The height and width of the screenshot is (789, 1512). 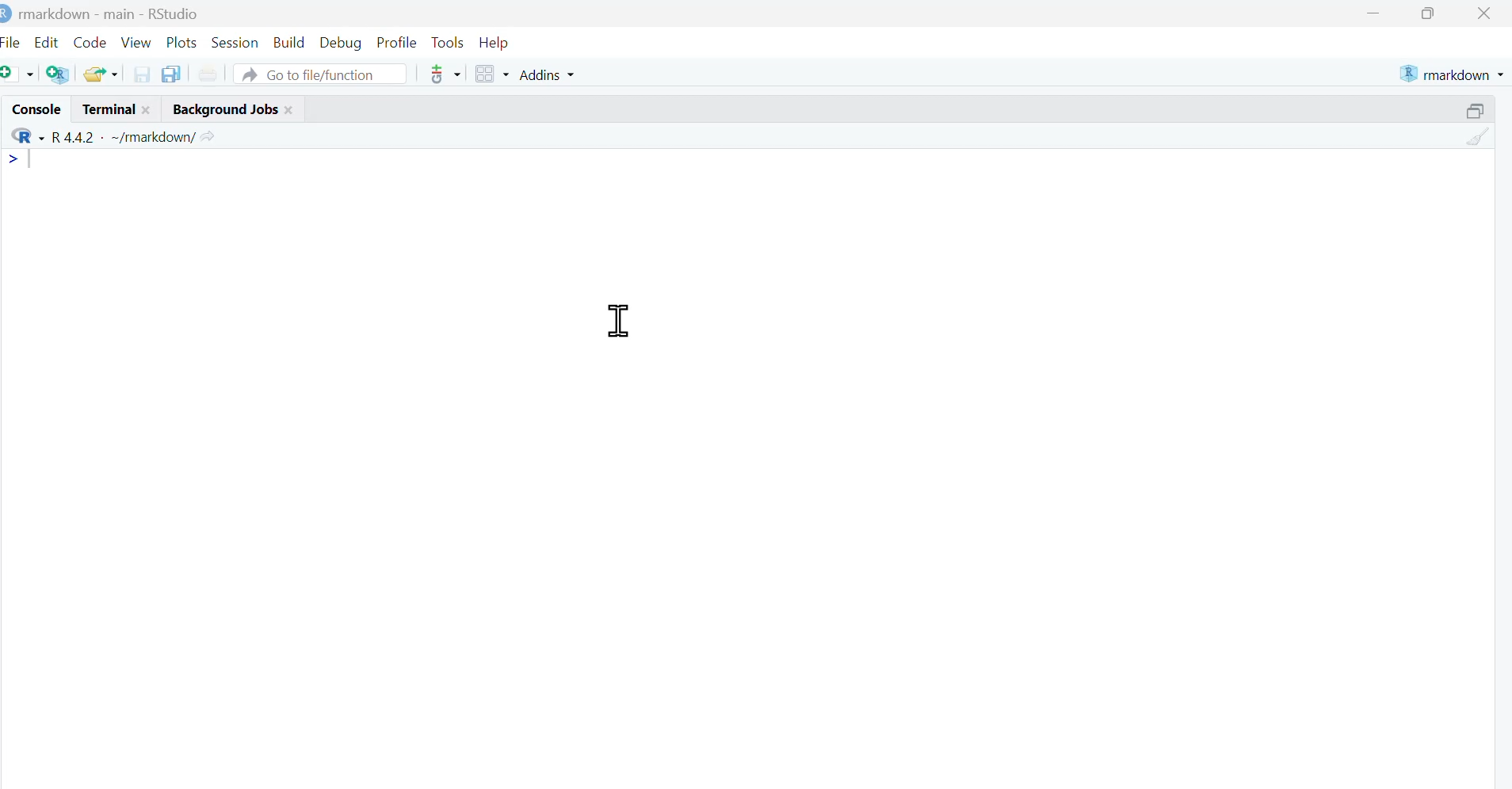 I want to click on minimize, so click(x=1373, y=13).